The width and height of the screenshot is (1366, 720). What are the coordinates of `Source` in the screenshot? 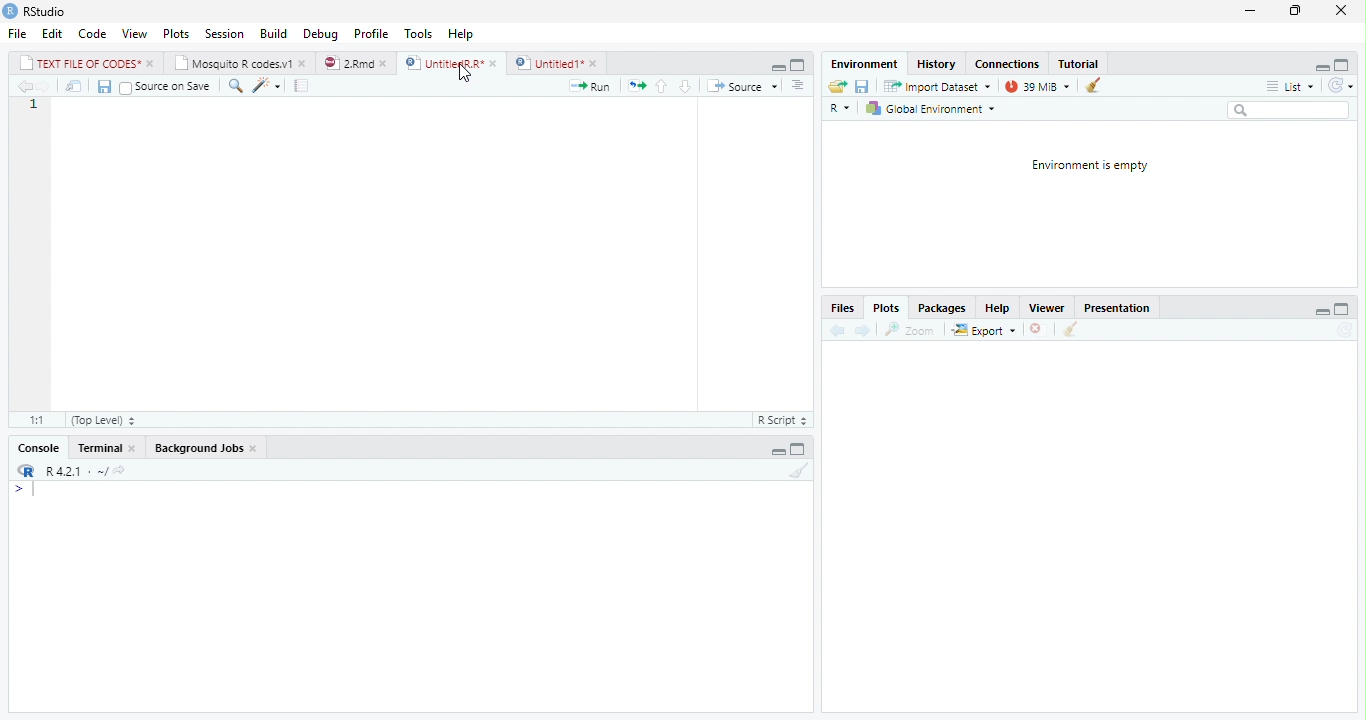 It's located at (741, 85).